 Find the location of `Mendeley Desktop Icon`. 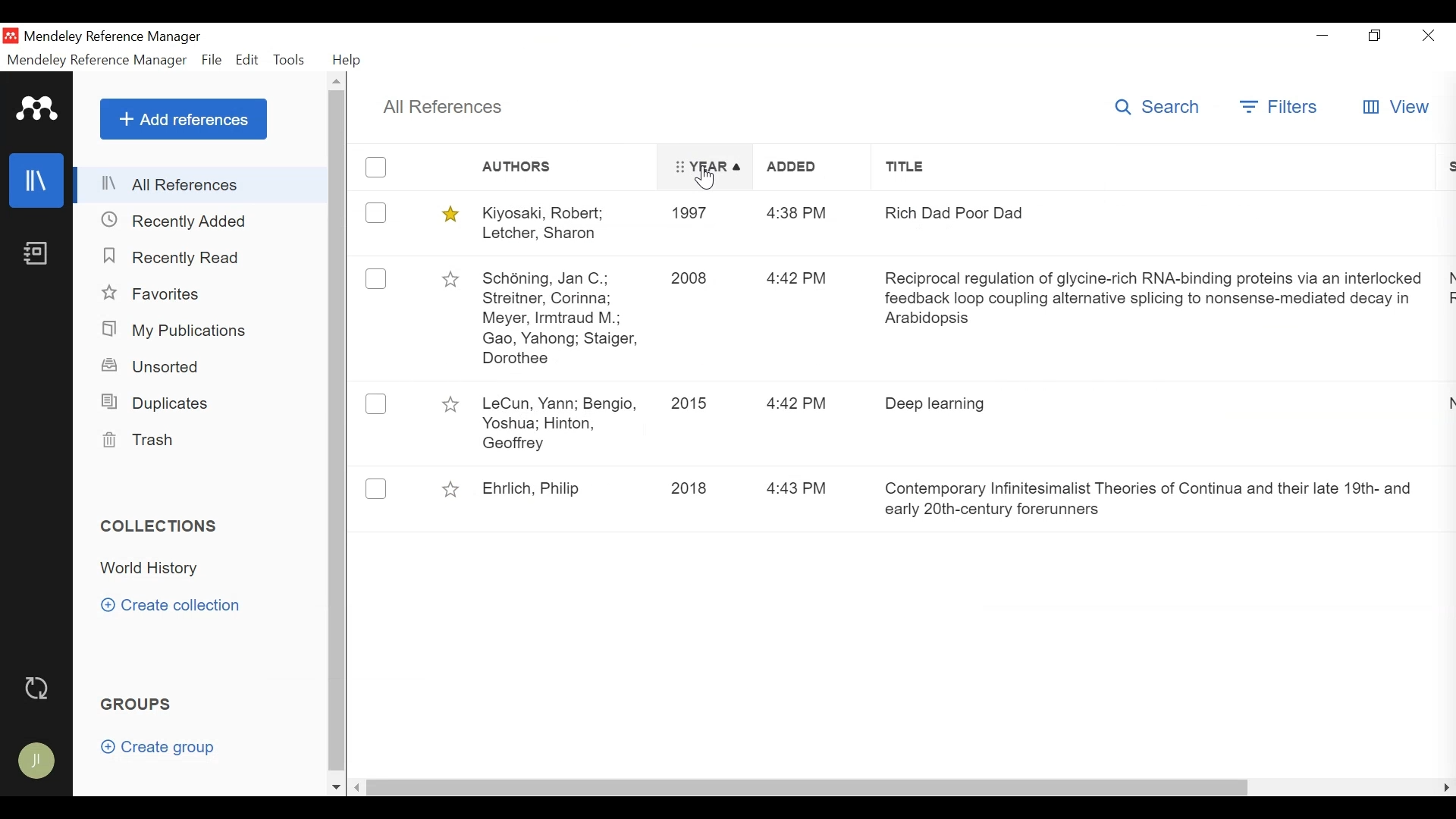

Mendeley Desktop Icon is located at coordinates (9, 35).